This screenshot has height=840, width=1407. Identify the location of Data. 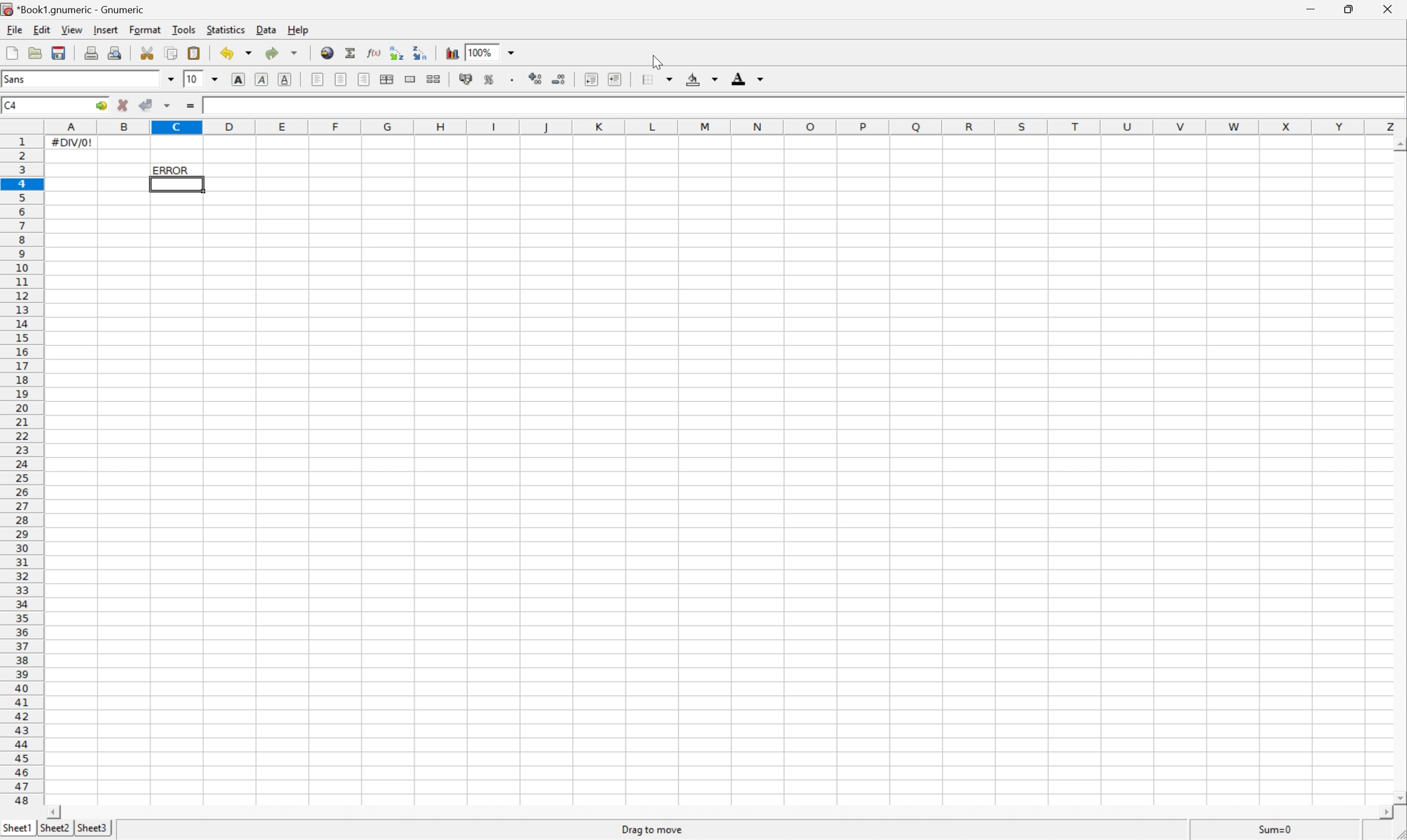
(267, 30).